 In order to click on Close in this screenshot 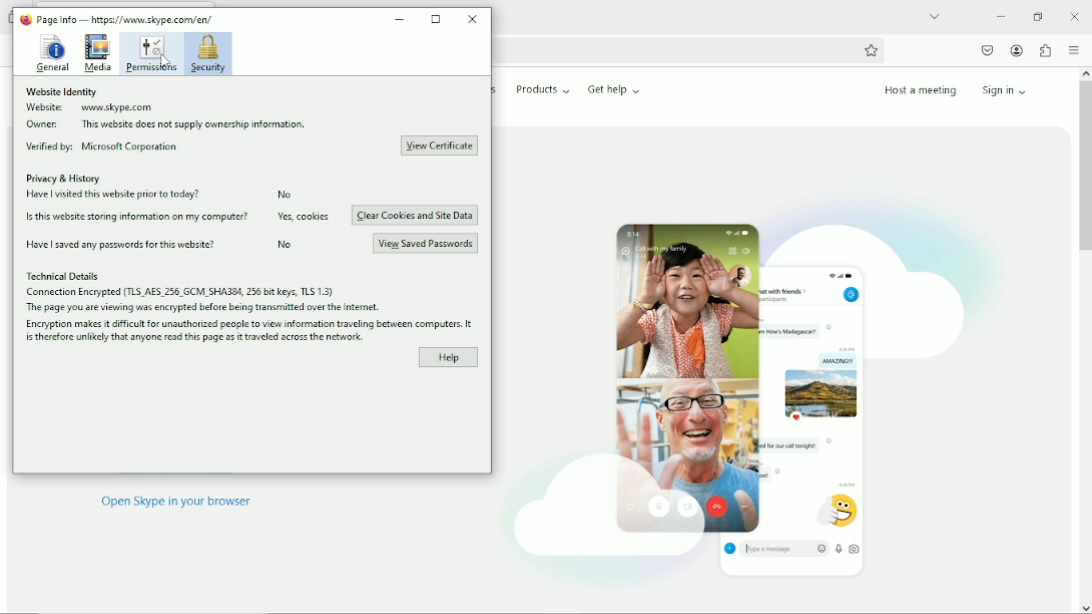, I will do `click(472, 18)`.